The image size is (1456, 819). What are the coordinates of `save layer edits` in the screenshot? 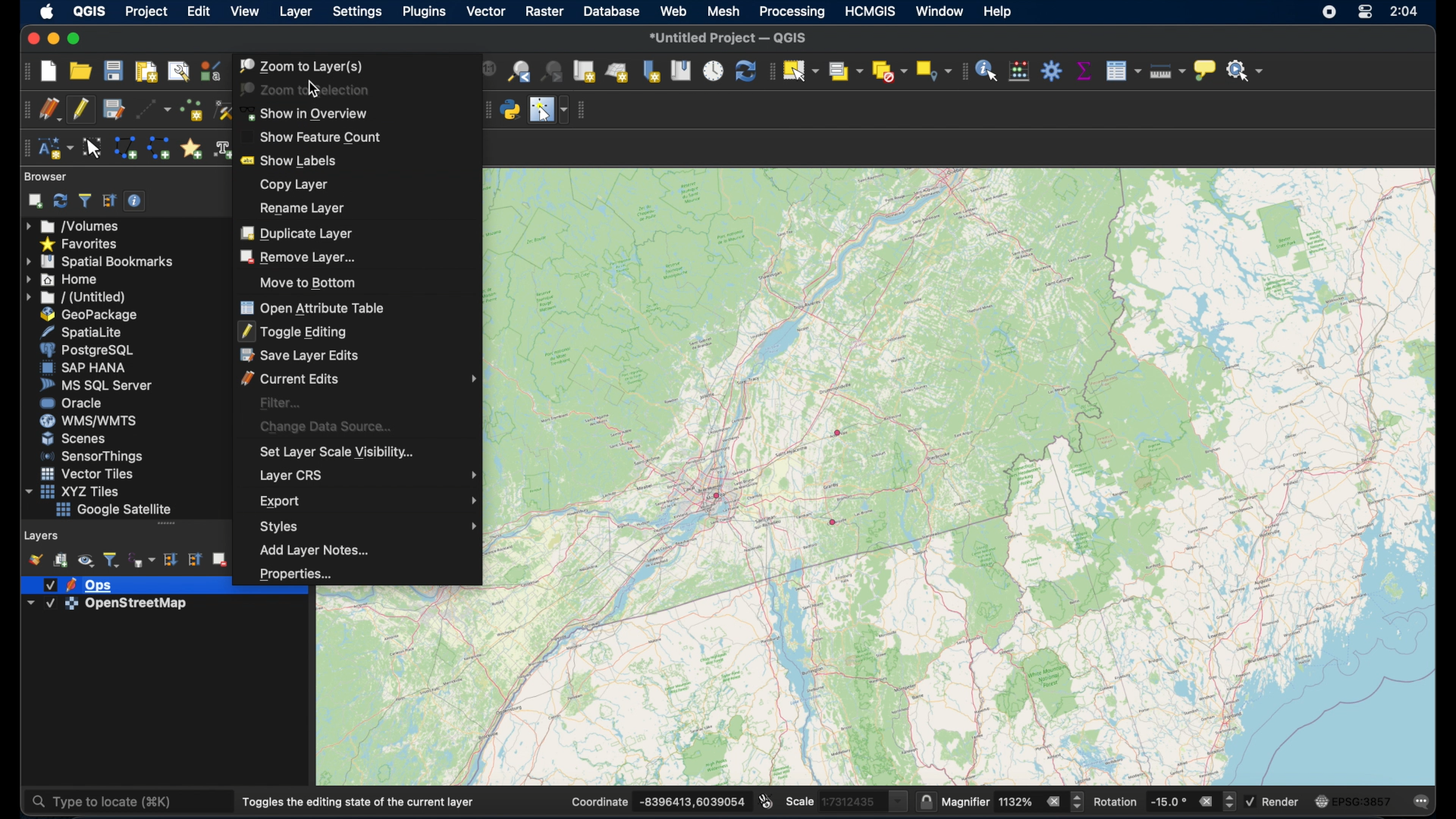 It's located at (112, 110).